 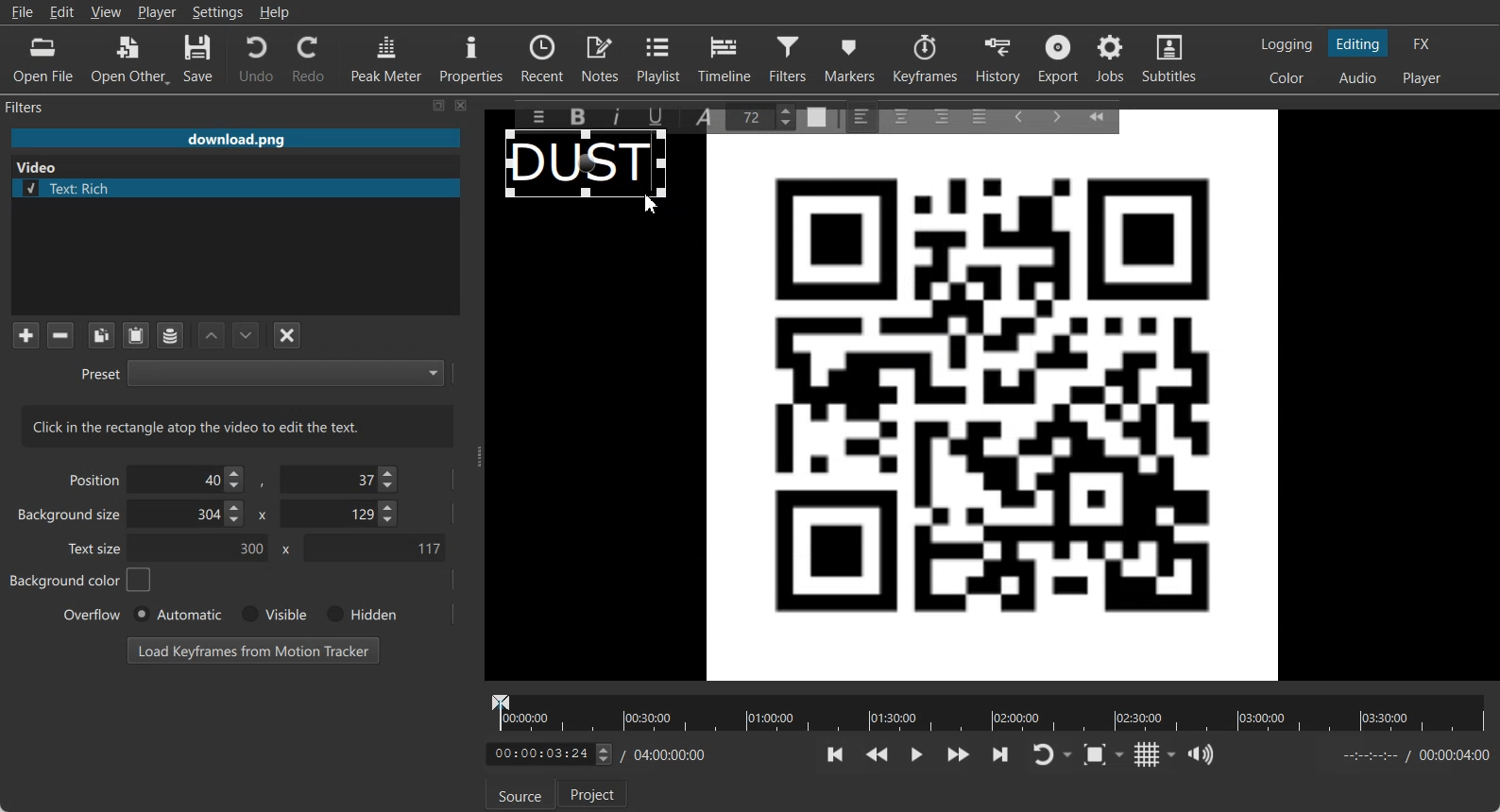 What do you see at coordinates (177, 614) in the screenshot?
I see `Automatic` at bounding box center [177, 614].